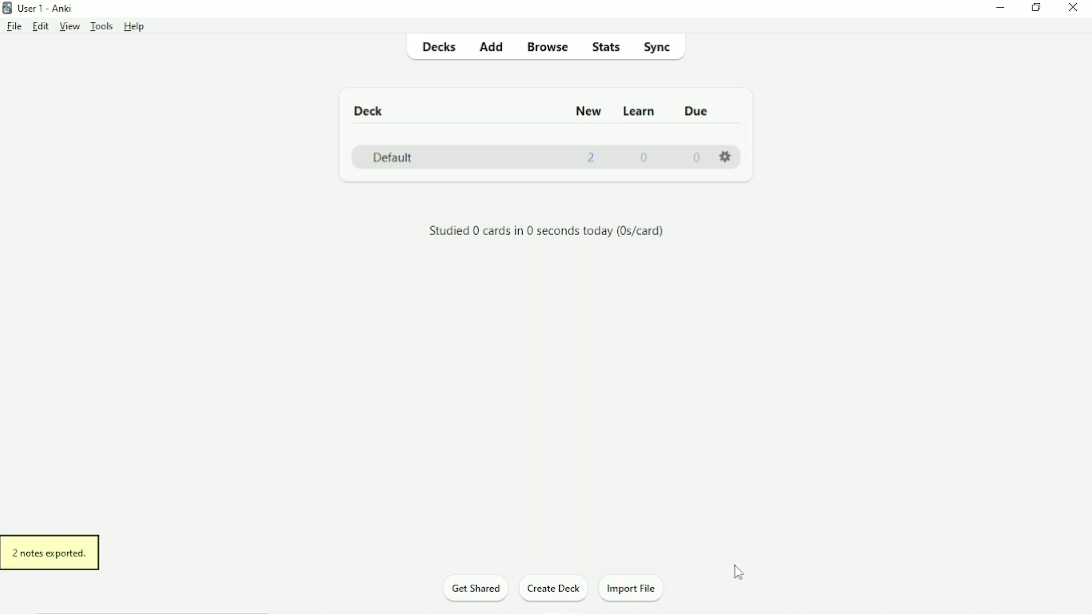  I want to click on Decks, so click(435, 46).